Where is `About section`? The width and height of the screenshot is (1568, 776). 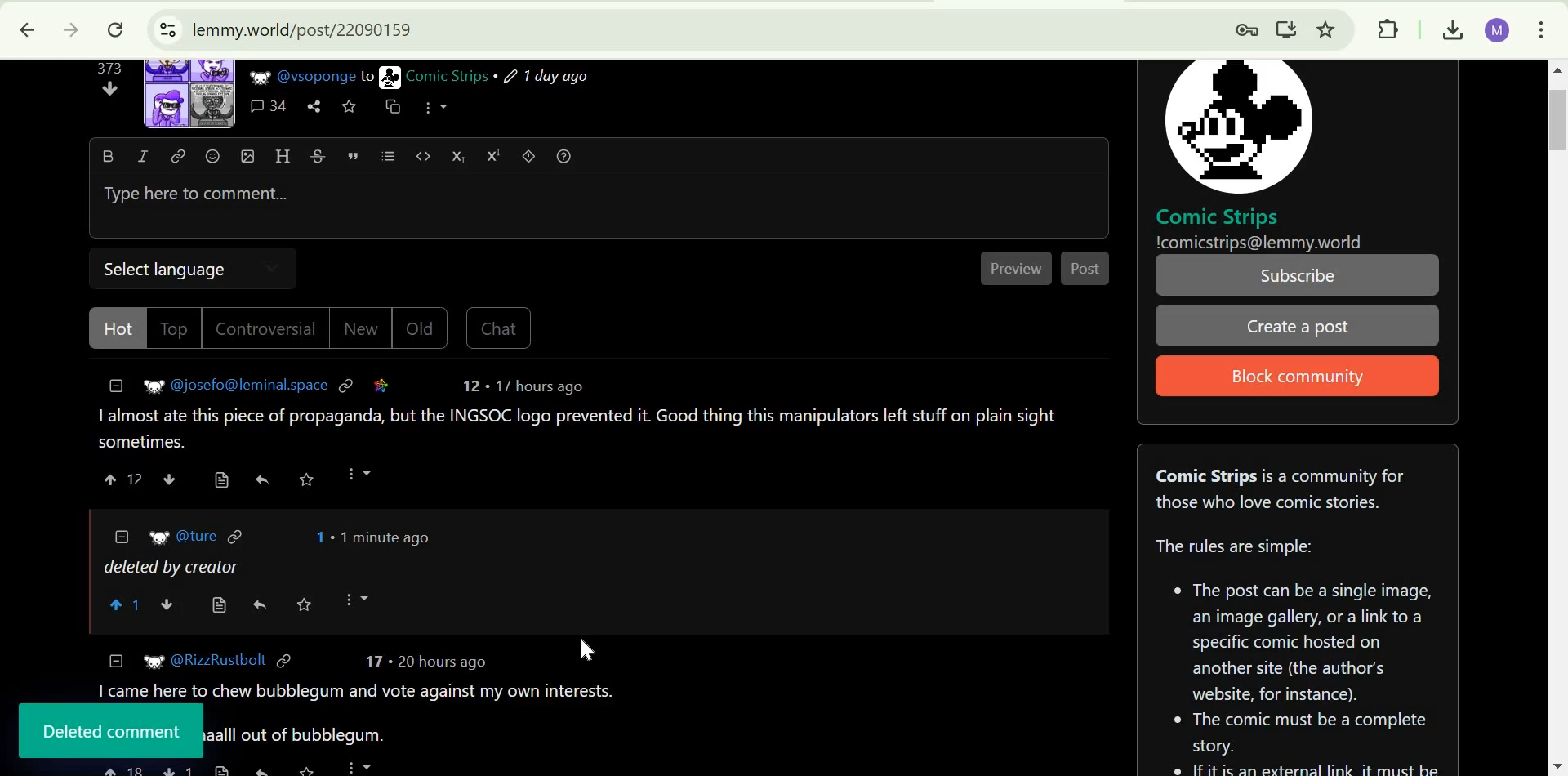
About section is located at coordinates (1281, 488).